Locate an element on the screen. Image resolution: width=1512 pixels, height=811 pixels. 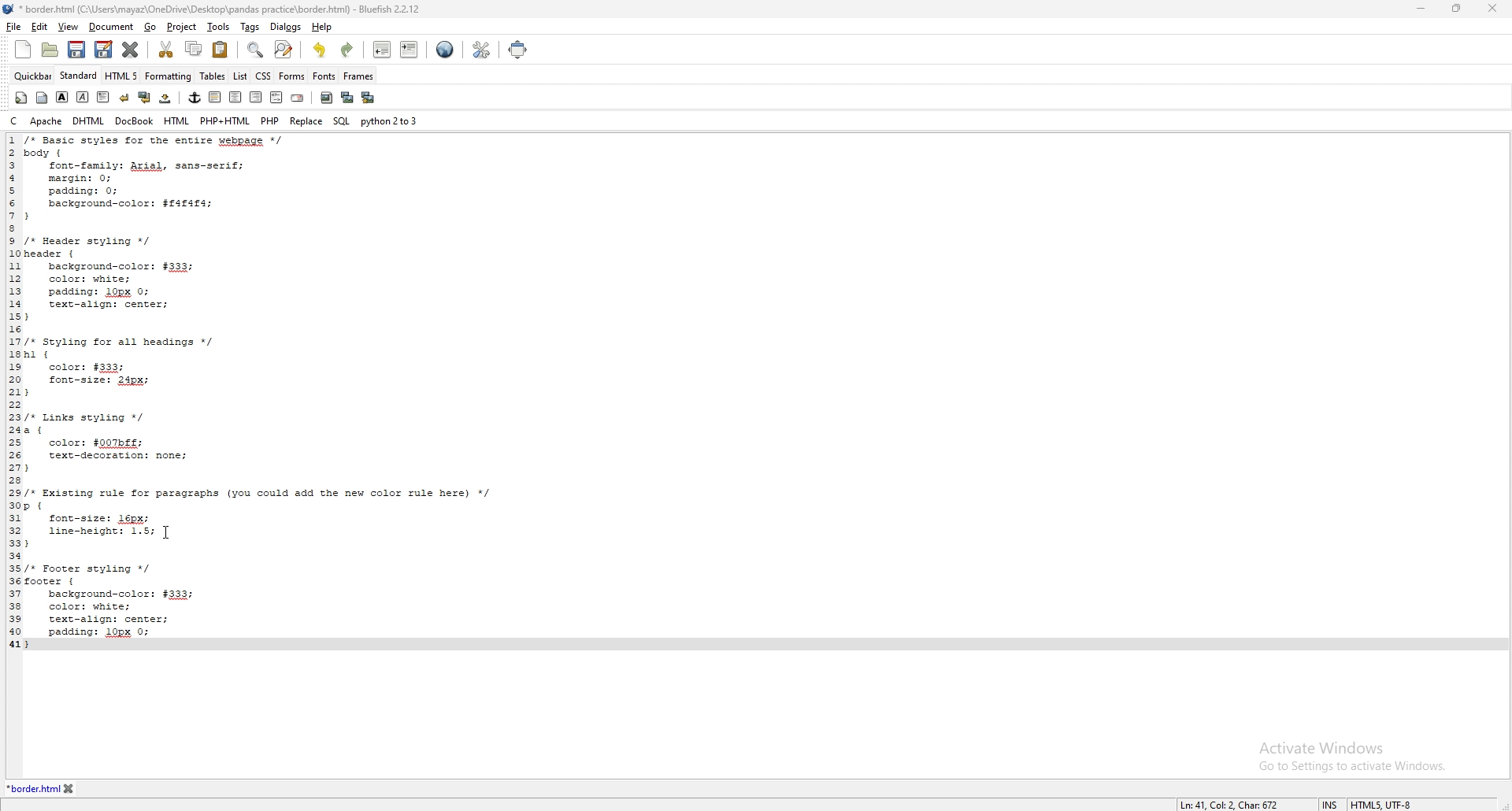
body is located at coordinates (43, 98).